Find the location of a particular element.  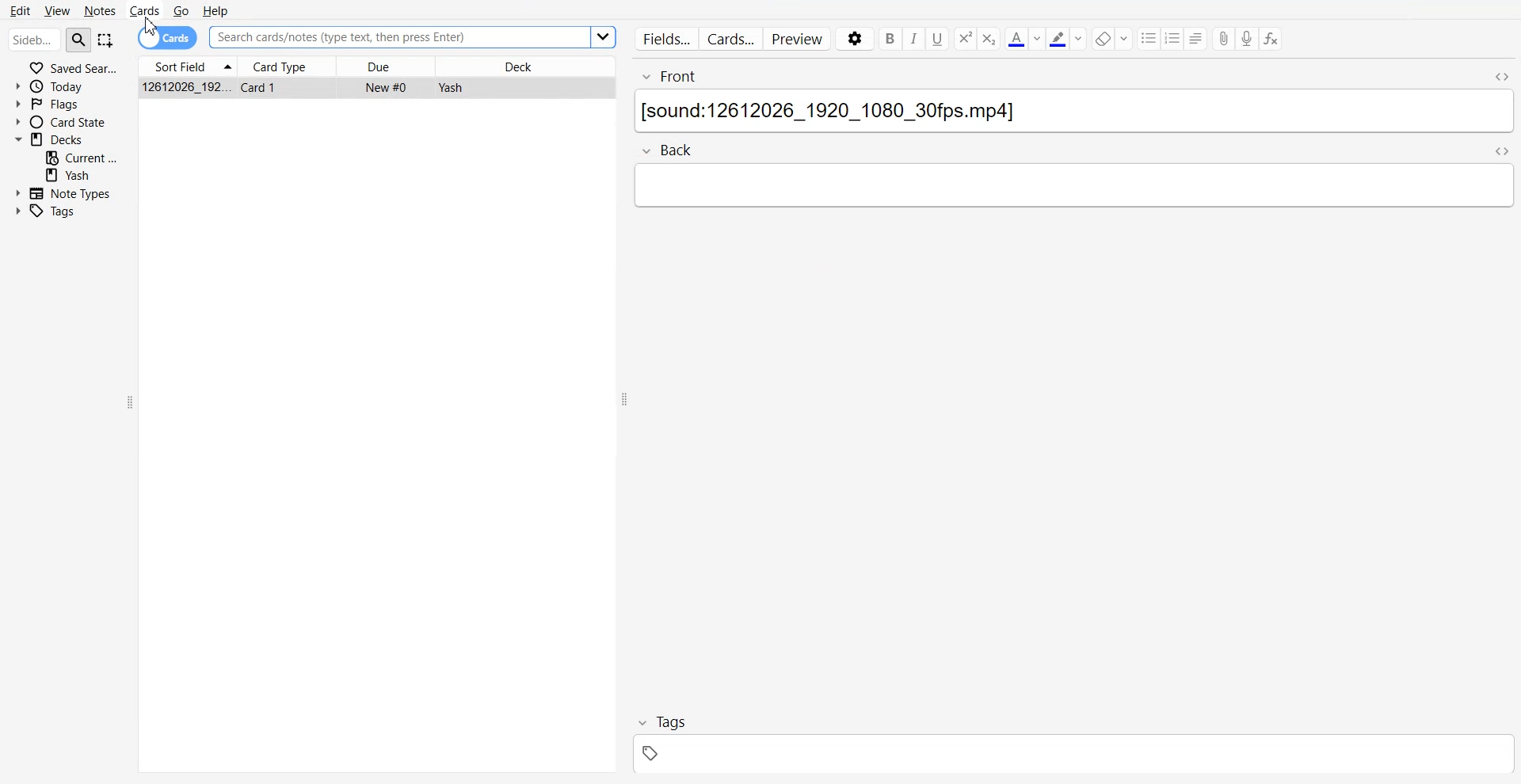

New #0 is located at coordinates (388, 87).